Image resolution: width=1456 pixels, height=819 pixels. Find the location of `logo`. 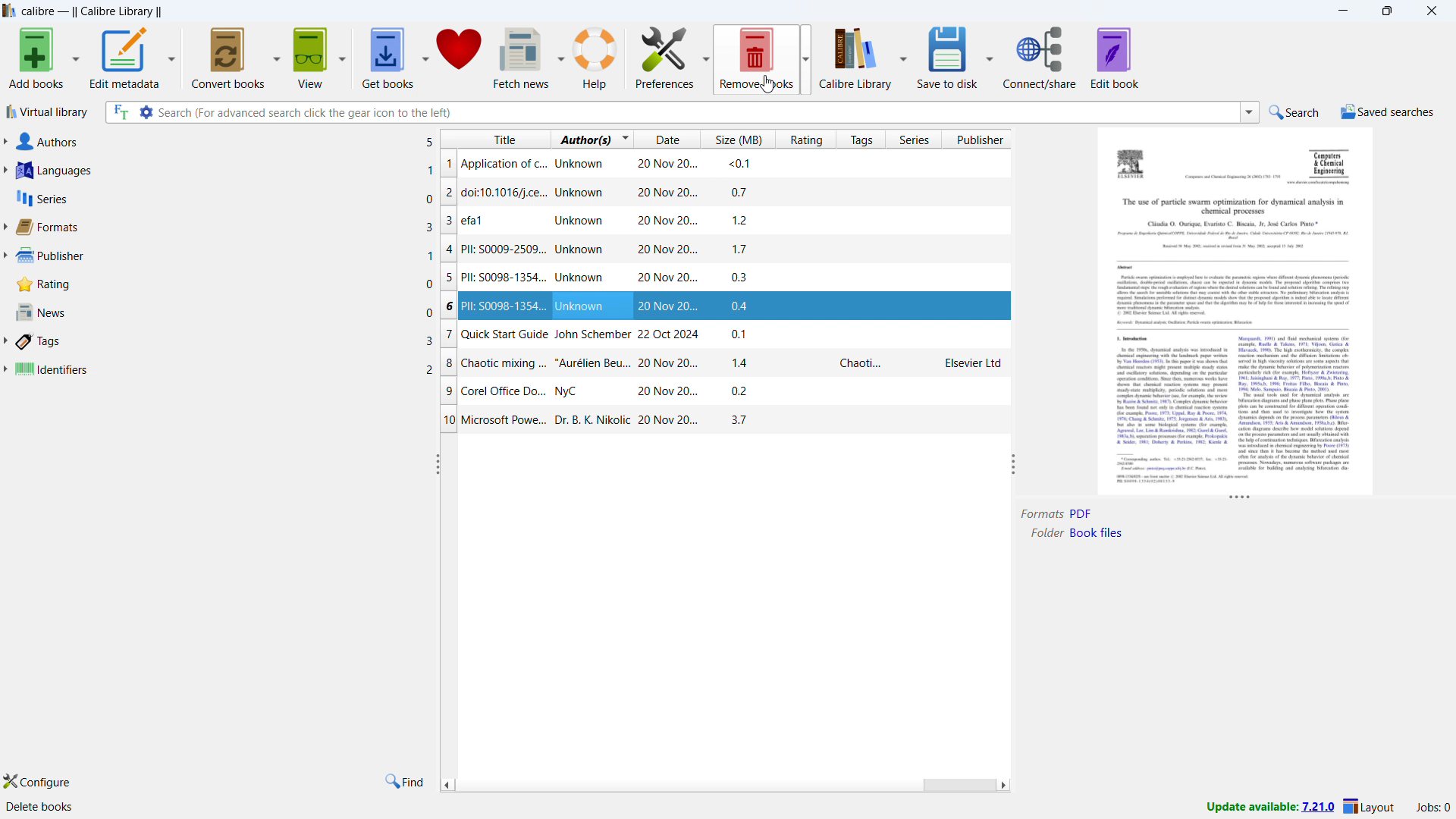

logo is located at coordinates (9, 10).